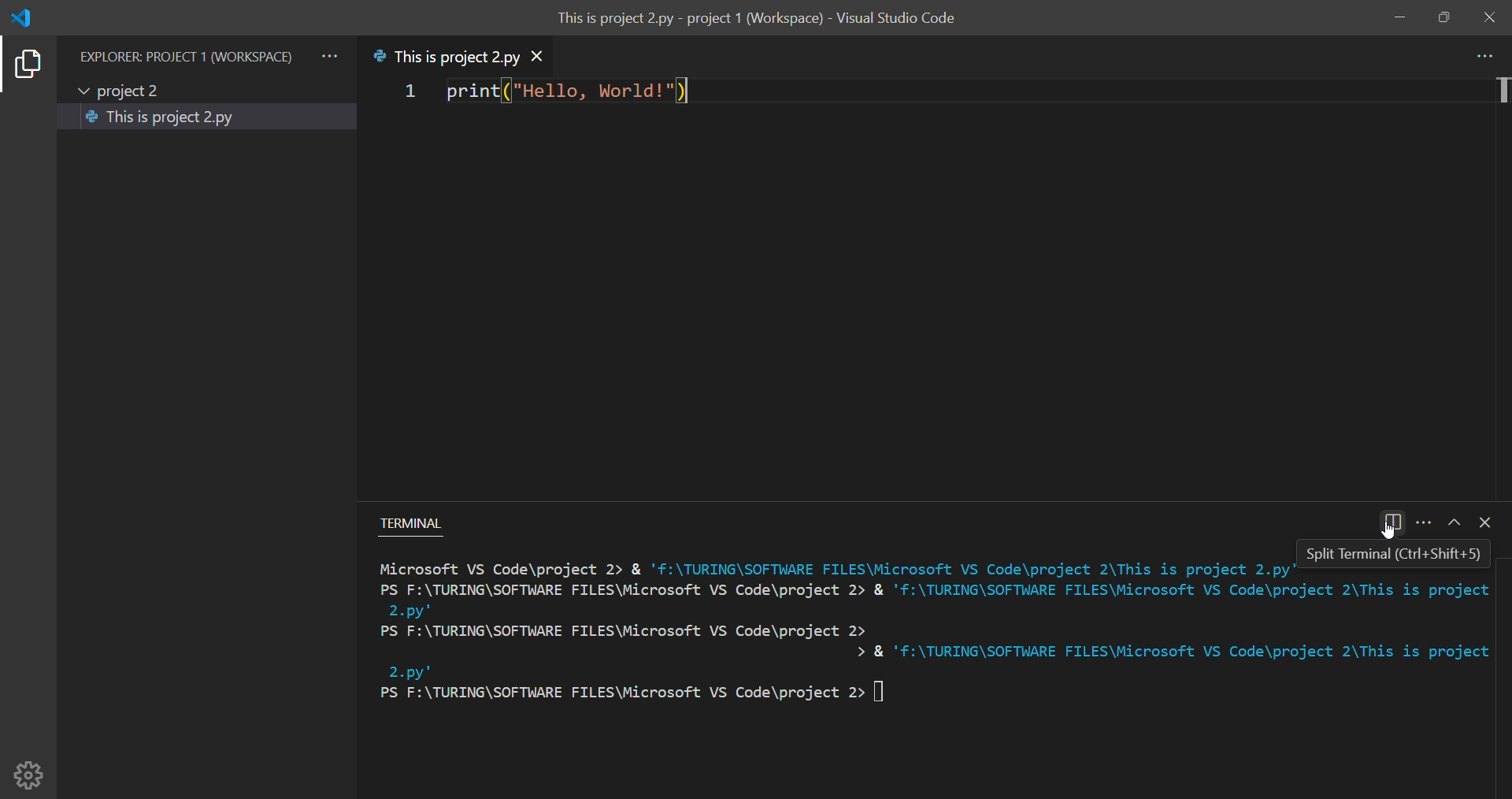 The image size is (1512, 799). I want to click on Microsoft VS Code\project 2> & 'f:\TURING\SOFTWARE FILES\Microsoft VS Code\project 2\This is project 2.py' - 5
PS F:\TURING\SOFTWARE FILES\Microsoft VS Code\project 2> & 'f:\TURING\SOFTWARE FILES\Microsoft VS Code\project 2\This is project
2.py*
PS F:\TURING\SOFTWARE FILES\Microsoft VS Code\project 2>

> & 'f:\TURING\SOFTWARE FILES\Microsoft VS Code\project 2\This is project
2.py*
PS F:\TURING\SOFTWARE FILES\Microsoft VS Code\project 2> 1, so click(936, 638).